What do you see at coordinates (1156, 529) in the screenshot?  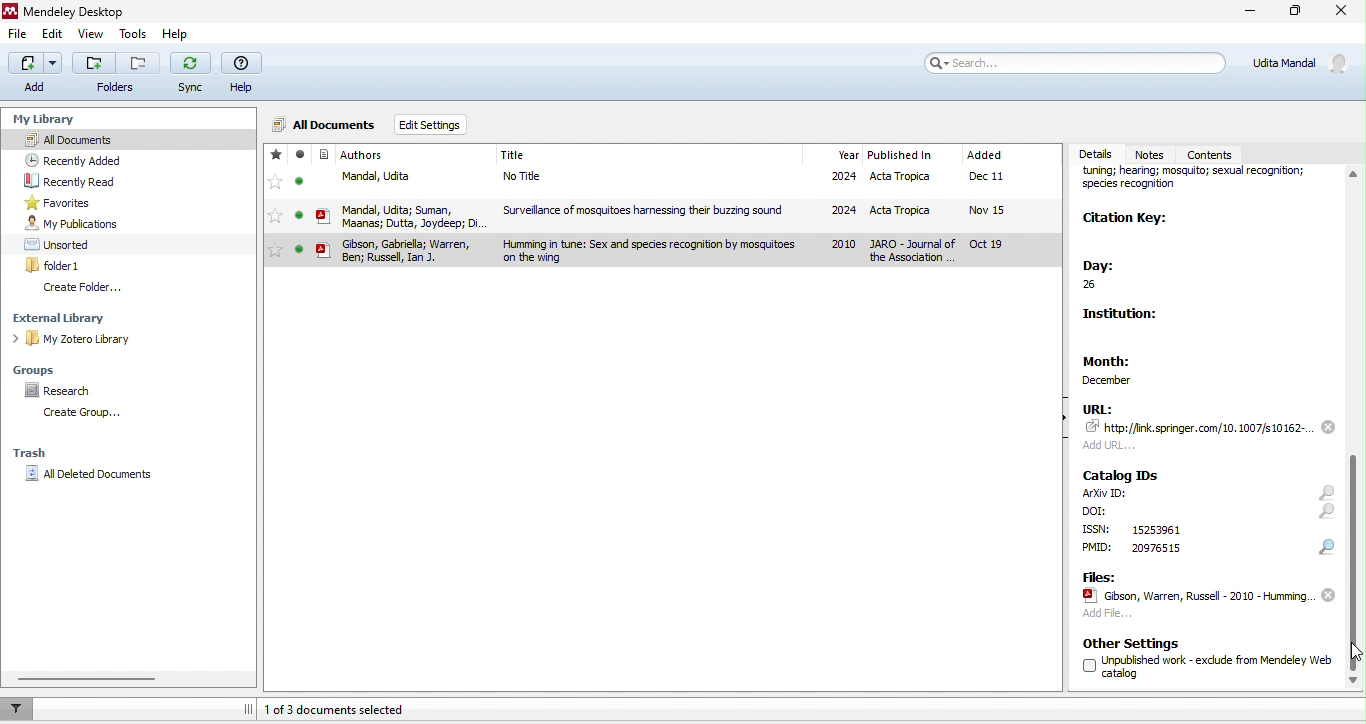 I see `text` at bounding box center [1156, 529].